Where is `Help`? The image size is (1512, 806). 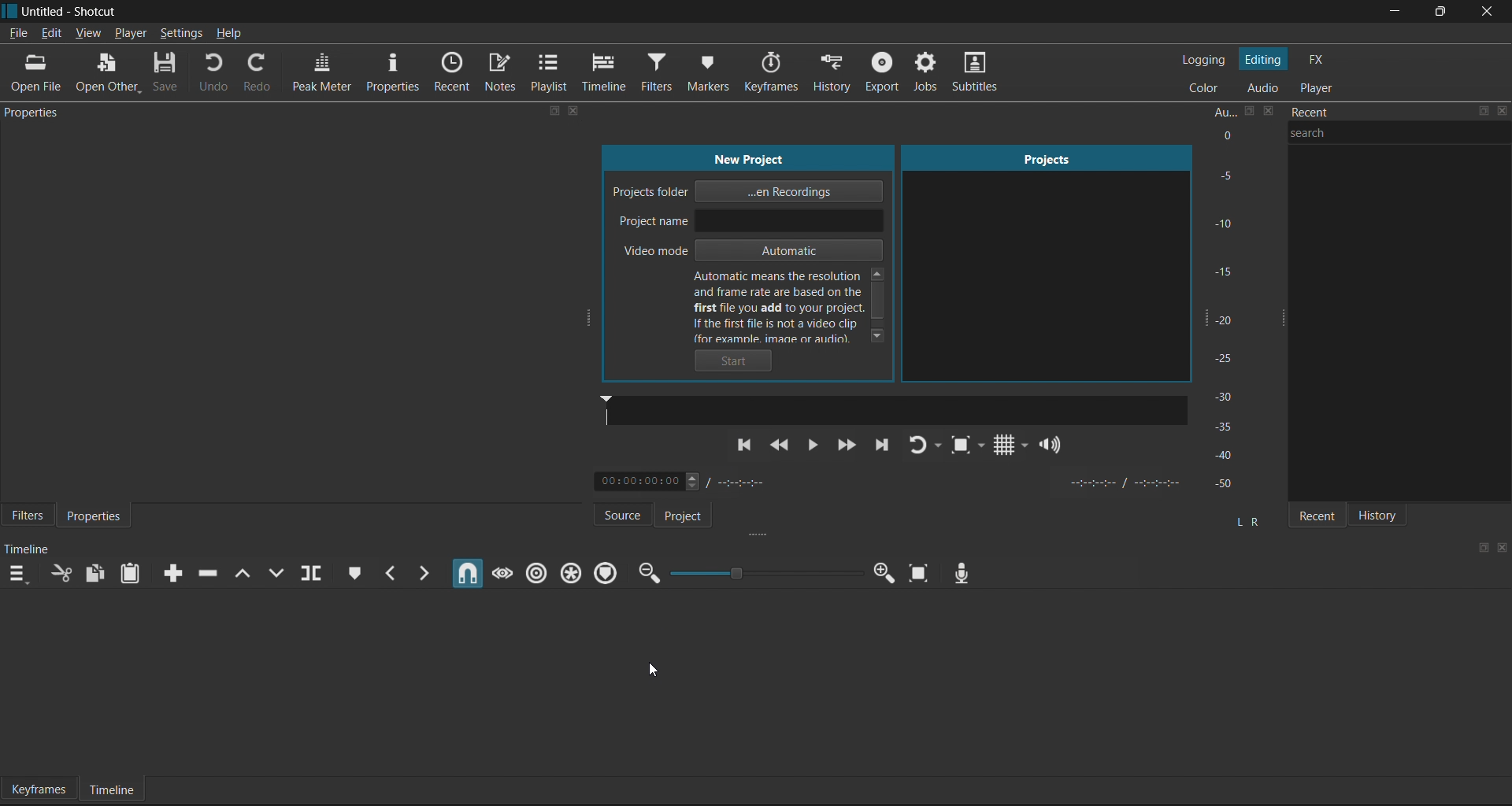
Help is located at coordinates (230, 35).